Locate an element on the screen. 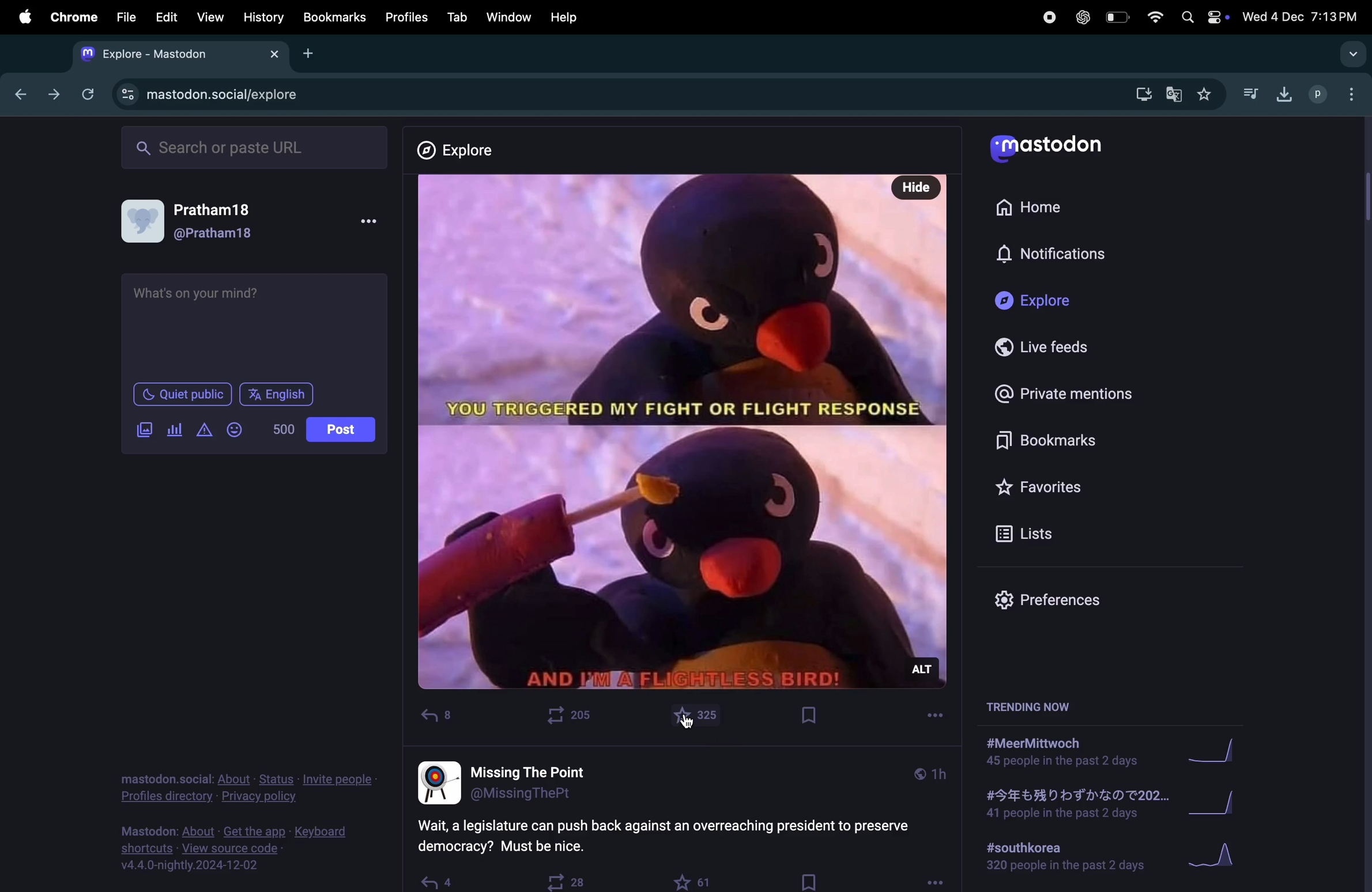 The width and height of the screenshot is (1372, 892). prefrences is located at coordinates (1051, 602).